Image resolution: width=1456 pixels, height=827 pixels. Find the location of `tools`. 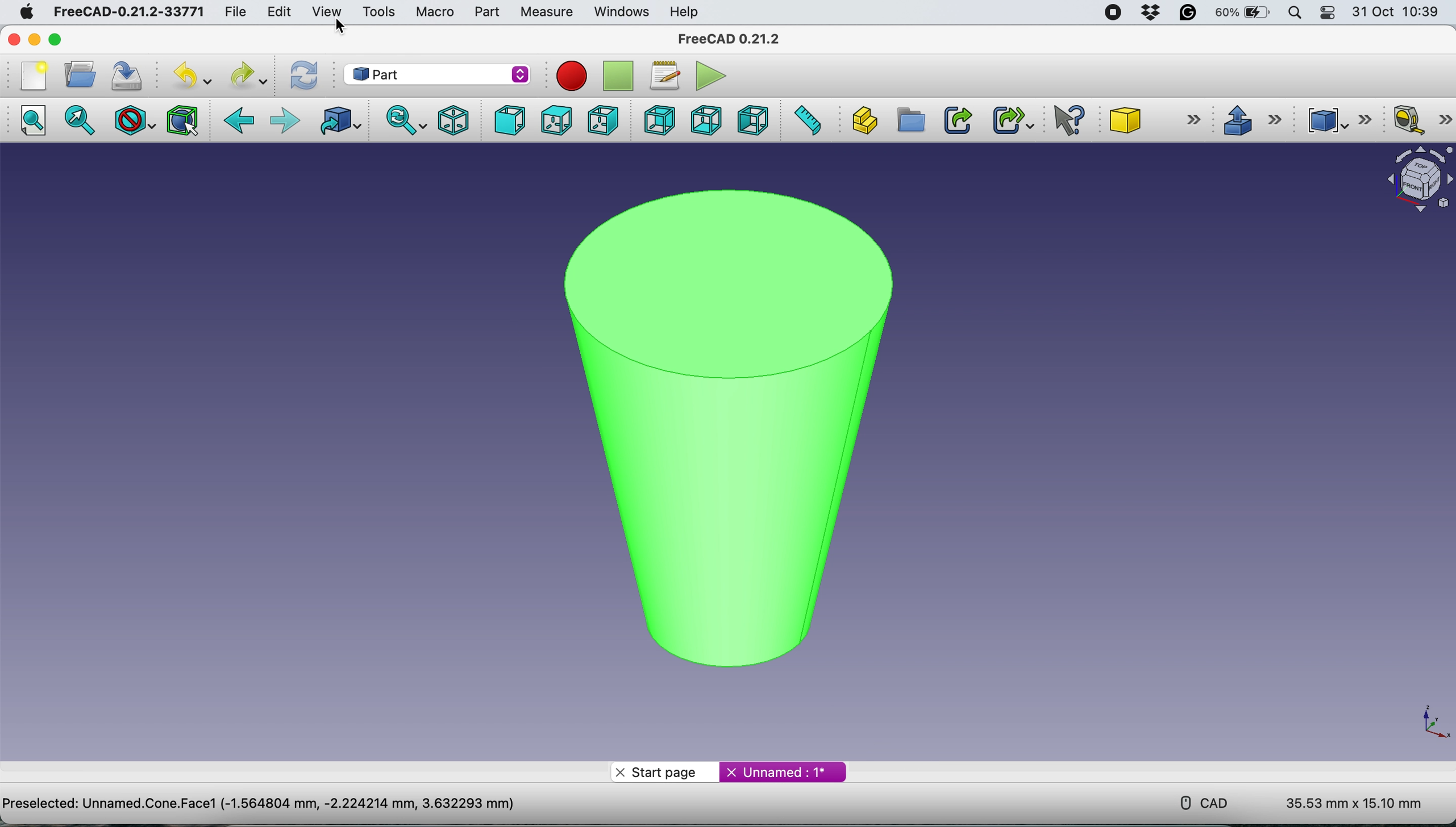

tools is located at coordinates (379, 12).